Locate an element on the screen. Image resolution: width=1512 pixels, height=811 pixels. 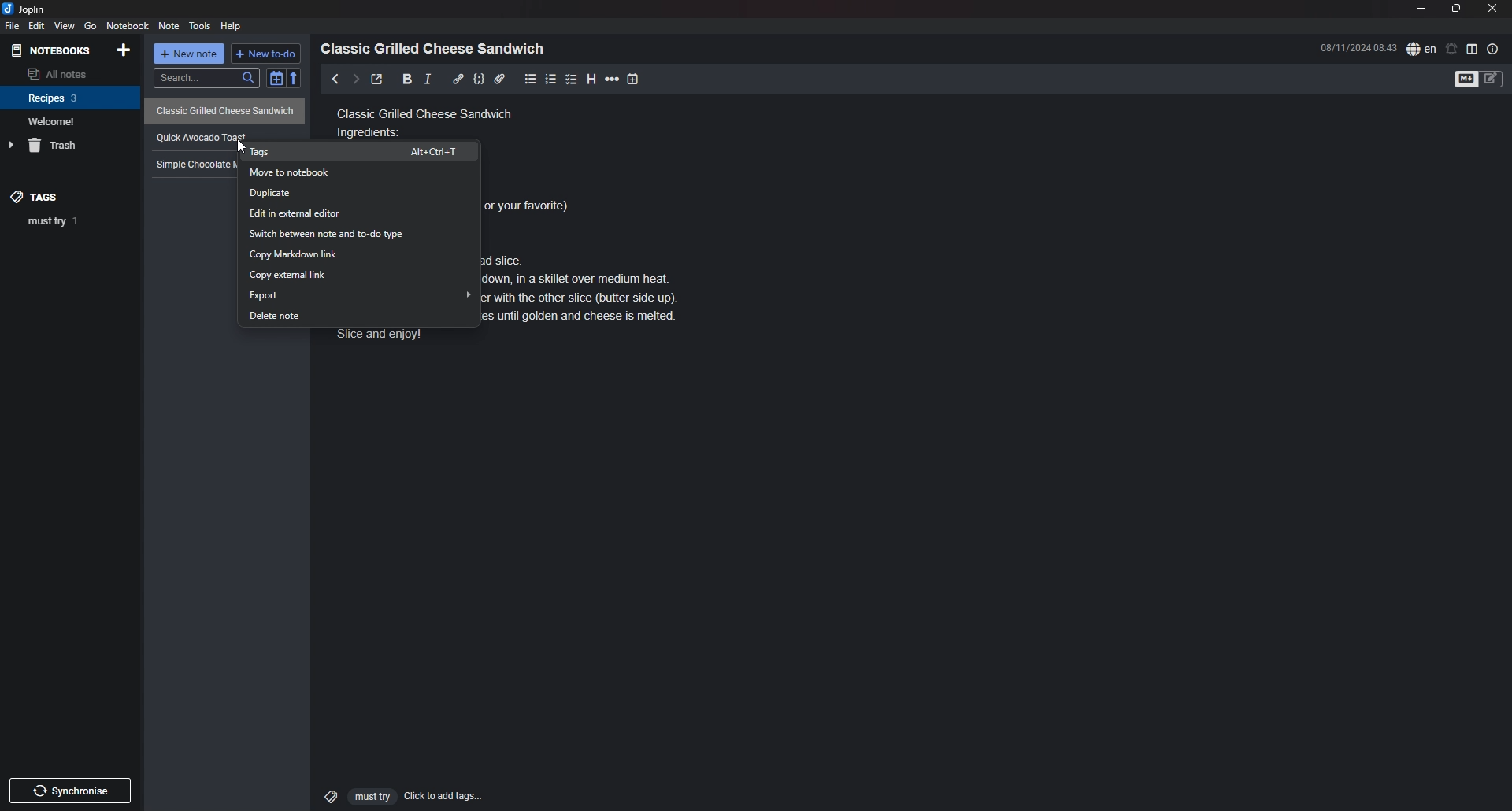
delete note is located at coordinates (359, 317).